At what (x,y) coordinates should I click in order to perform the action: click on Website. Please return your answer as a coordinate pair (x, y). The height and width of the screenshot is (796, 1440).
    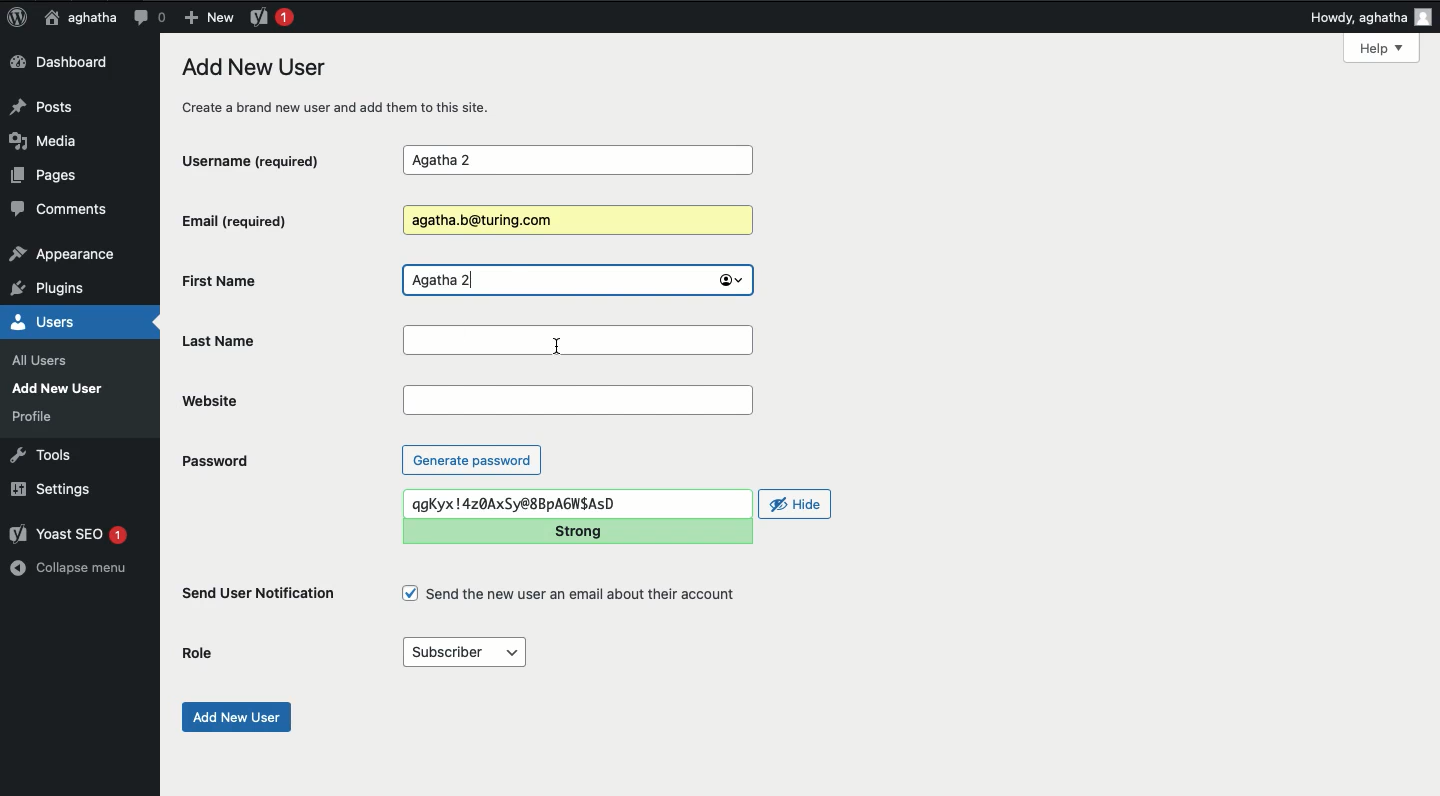
    Looking at the image, I should click on (288, 400).